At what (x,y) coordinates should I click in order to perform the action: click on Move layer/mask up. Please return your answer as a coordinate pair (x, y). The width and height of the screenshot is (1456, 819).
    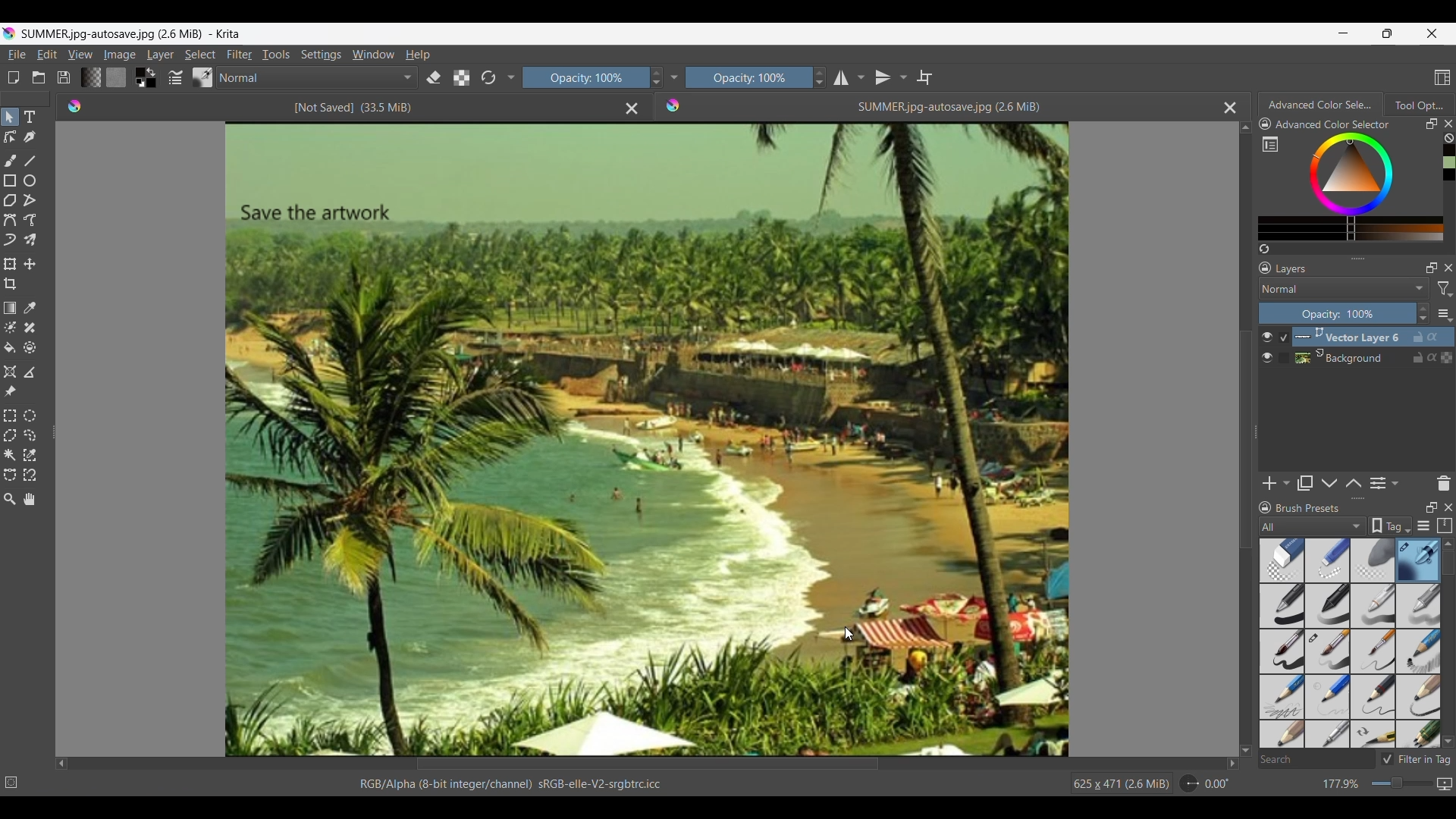
    Looking at the image, I should click on (1353, 483).